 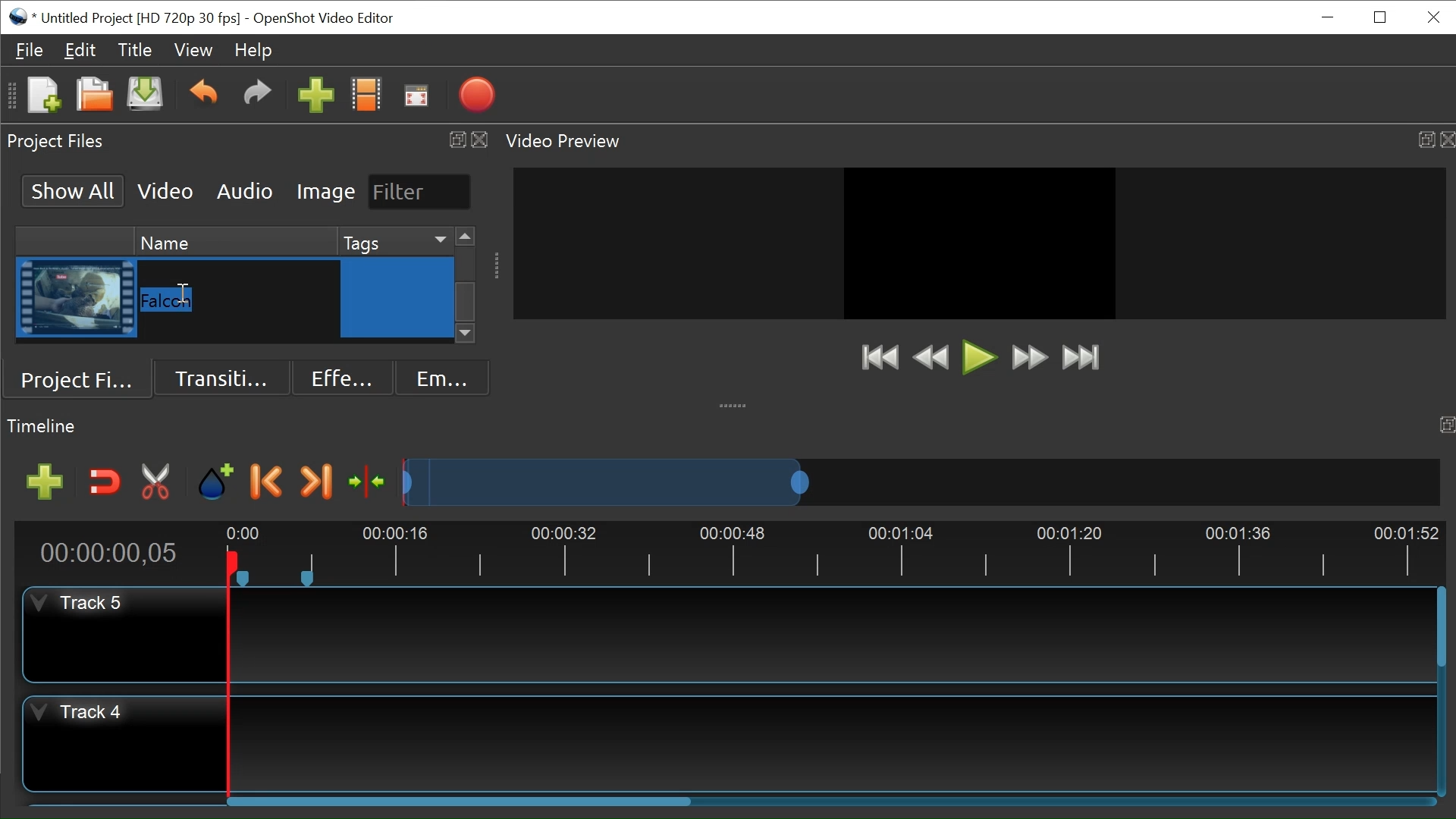 I want to click on Current Position, so click(x=108, y=555).